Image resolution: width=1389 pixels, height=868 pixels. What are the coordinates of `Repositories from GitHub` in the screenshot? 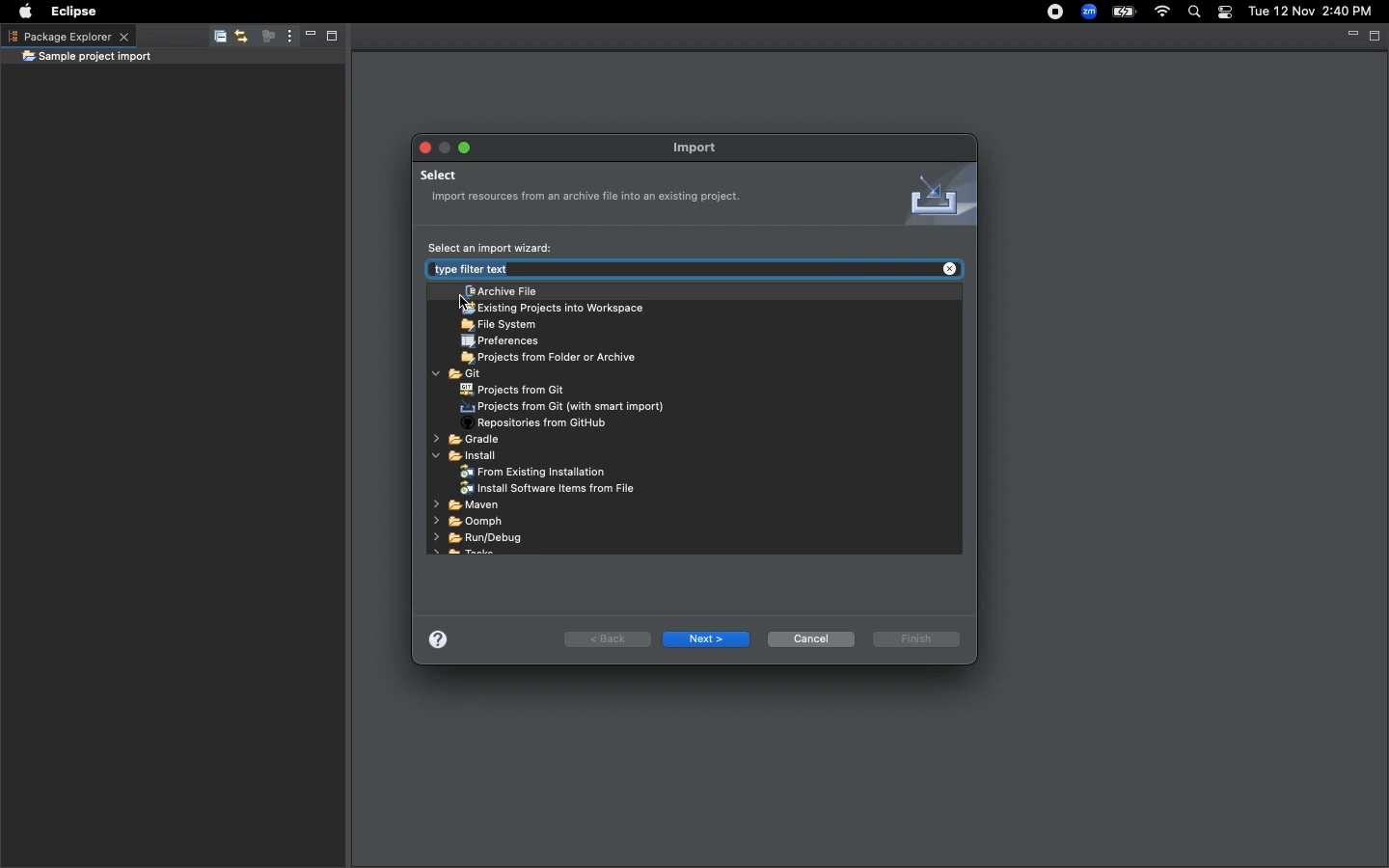 It's located at (541, 424).